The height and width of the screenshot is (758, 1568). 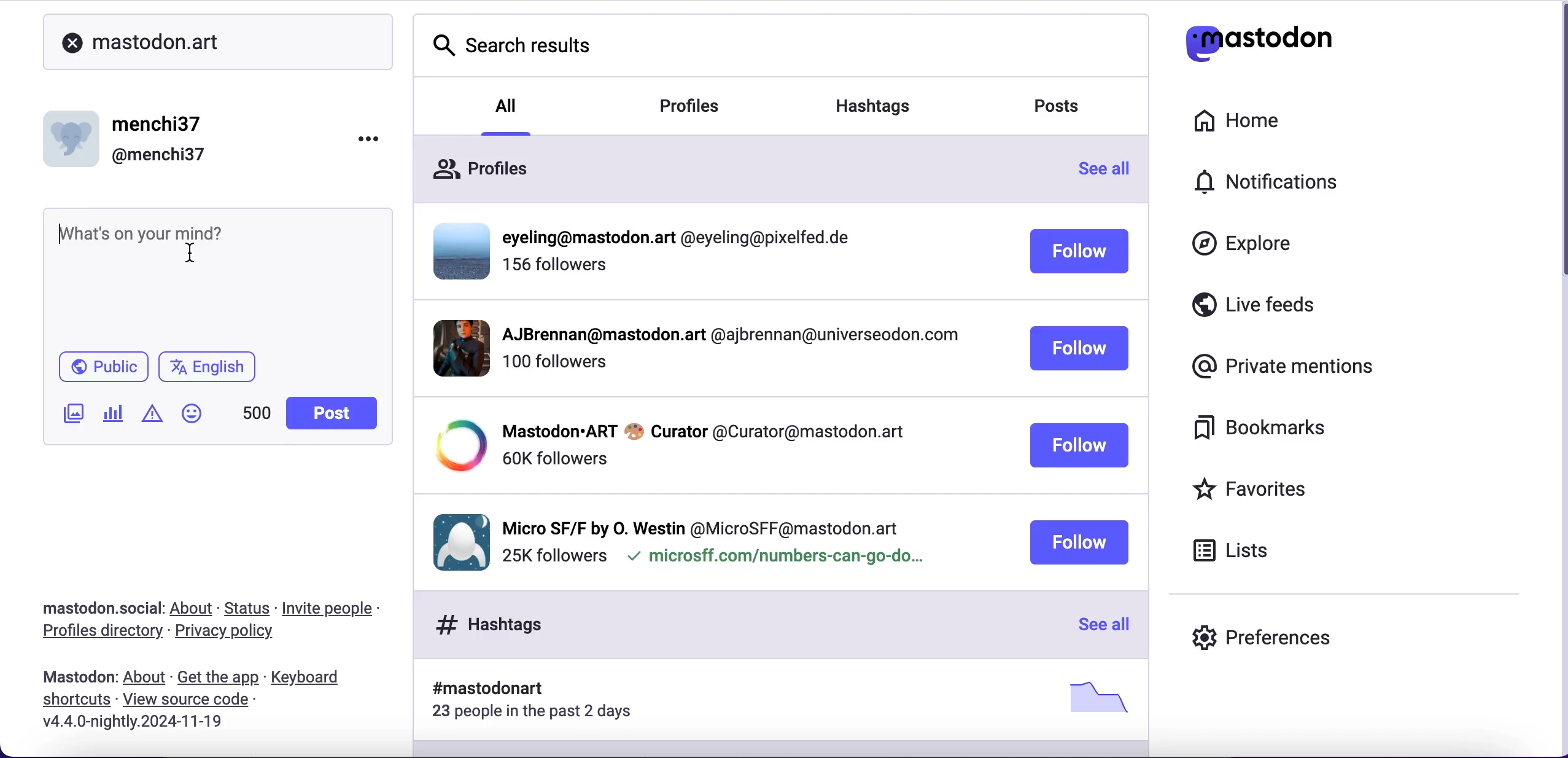 I want to click on profiles, so click(x=747, y=168).